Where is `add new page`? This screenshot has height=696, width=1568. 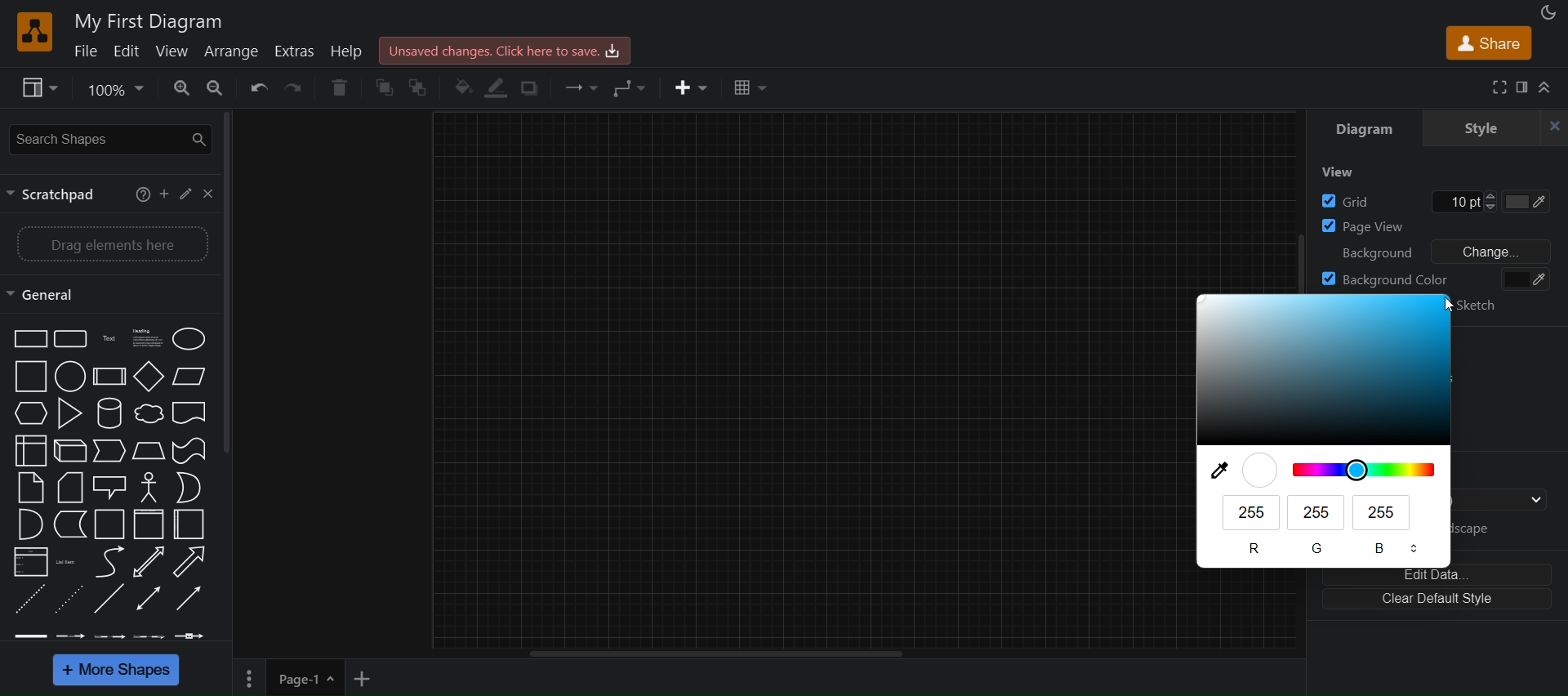 add new page is located at coordinates (367, 680).